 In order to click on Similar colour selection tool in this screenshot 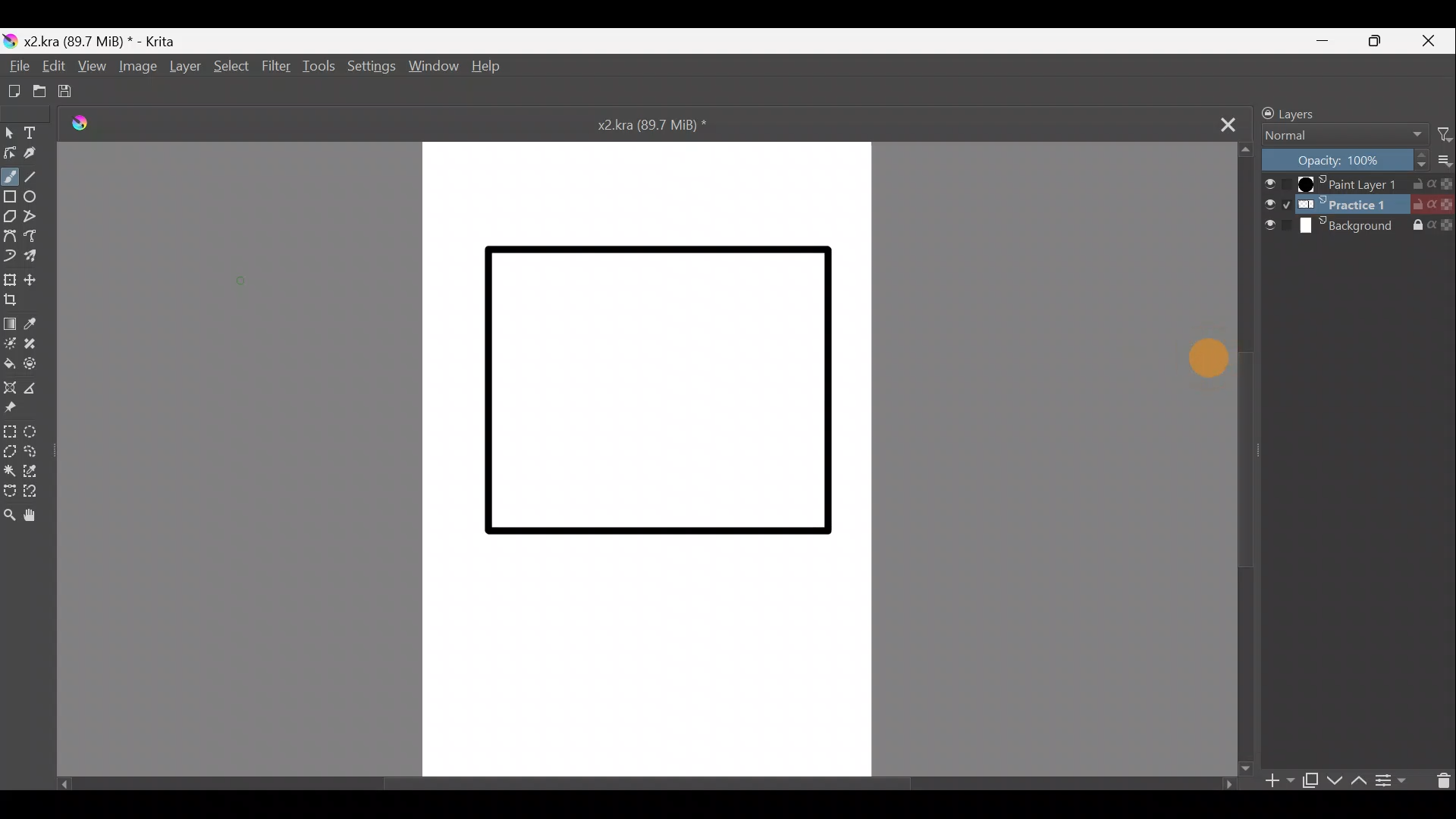, I will do `click(39, 470)`.